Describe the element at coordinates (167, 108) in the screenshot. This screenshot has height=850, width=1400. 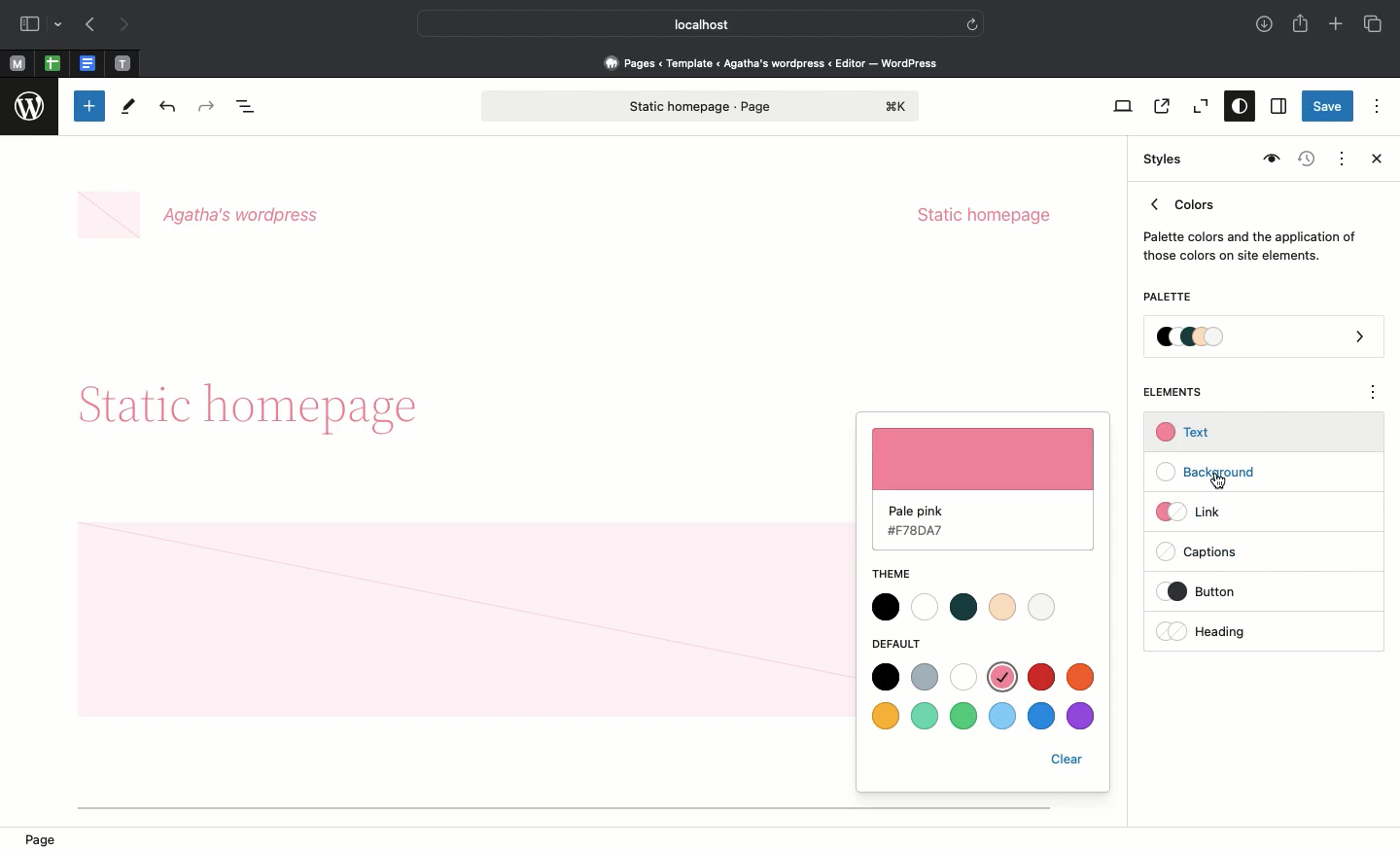
I see `Undo` at that location.